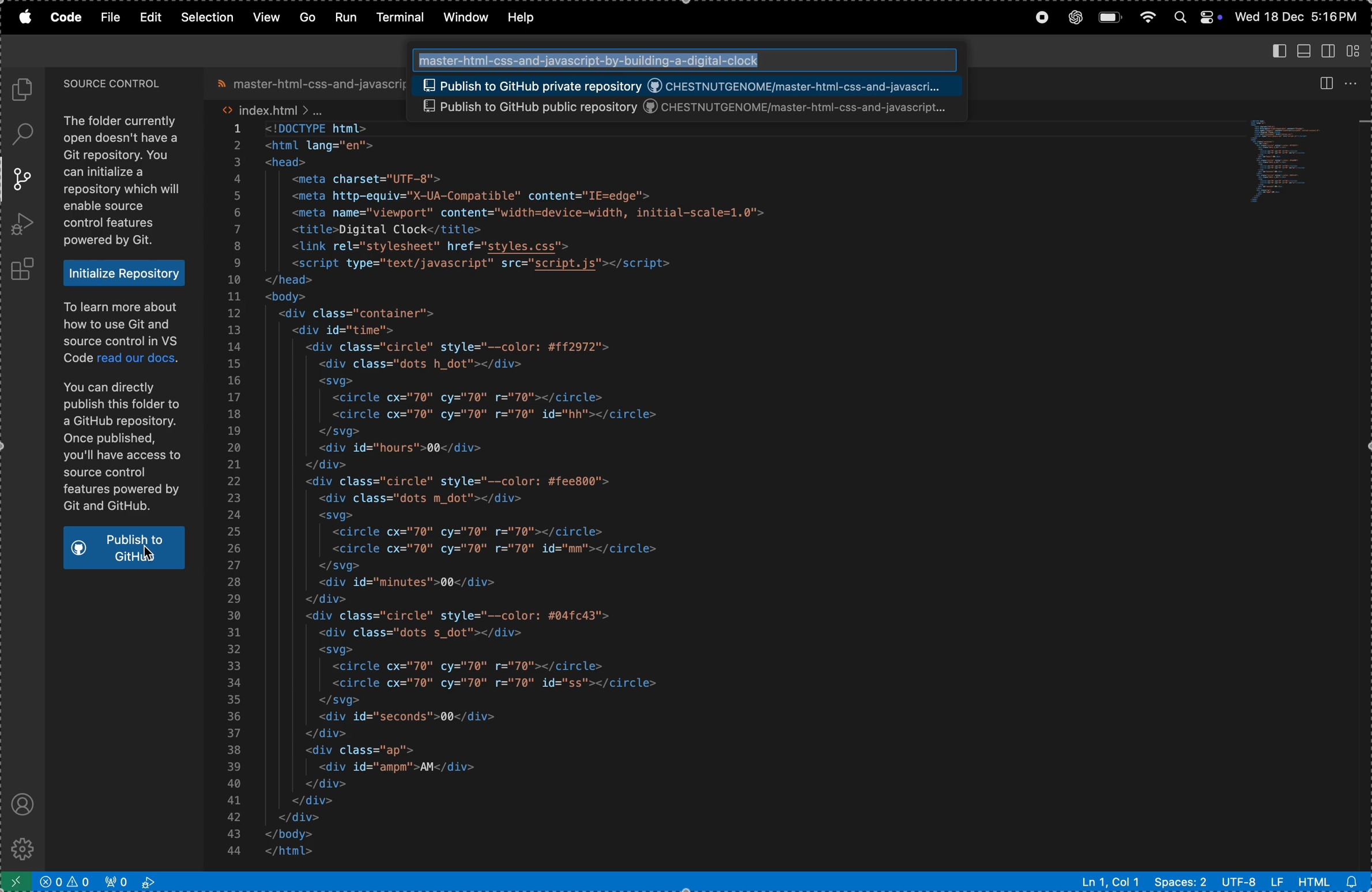 This screenshot has width=1372, height=892. What do you see at coordinates (292, 281) in the screenshot?
I see `</head>` at bounding box center [292, 281].